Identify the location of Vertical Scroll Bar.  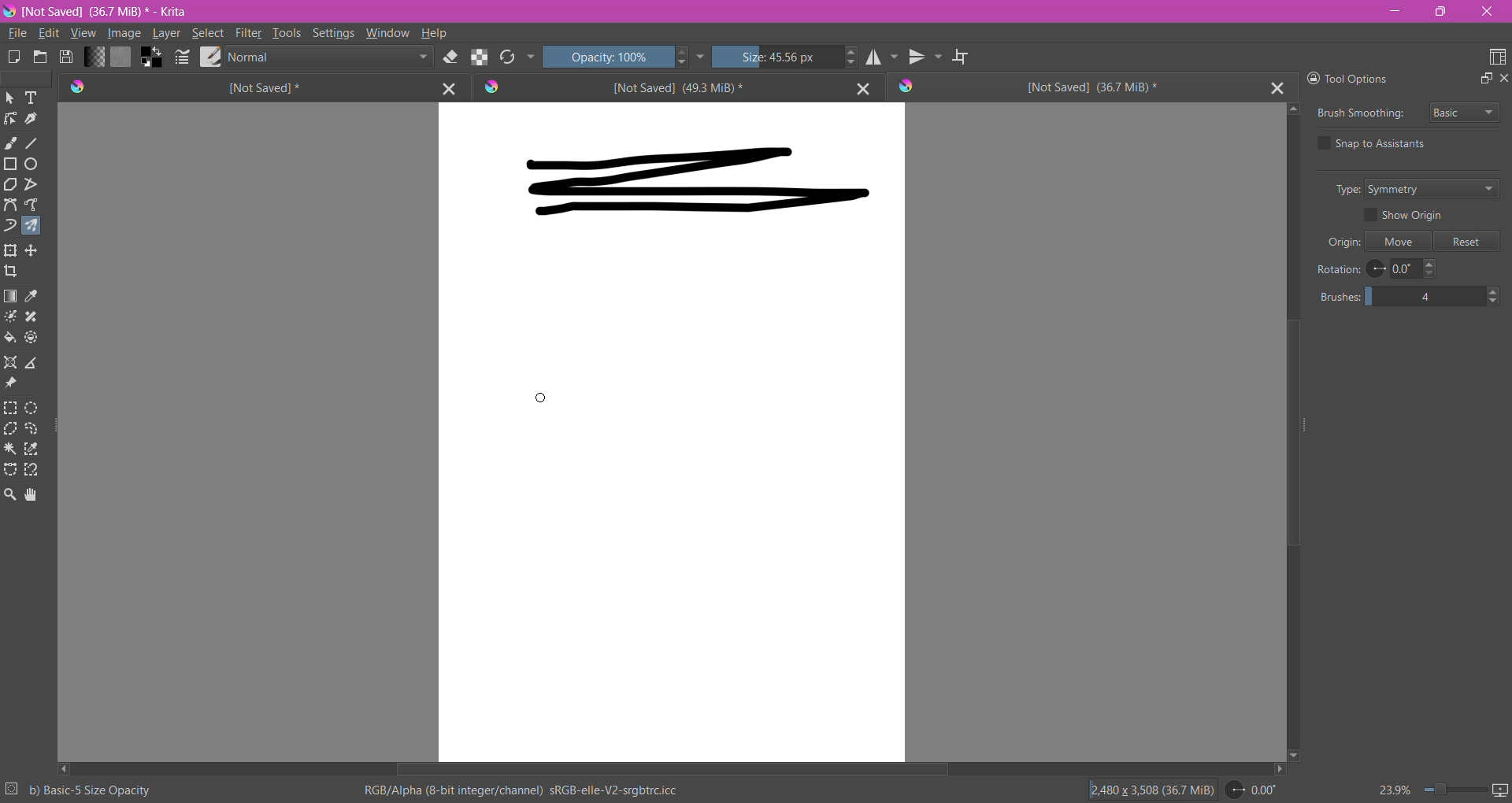
(1295, 432).